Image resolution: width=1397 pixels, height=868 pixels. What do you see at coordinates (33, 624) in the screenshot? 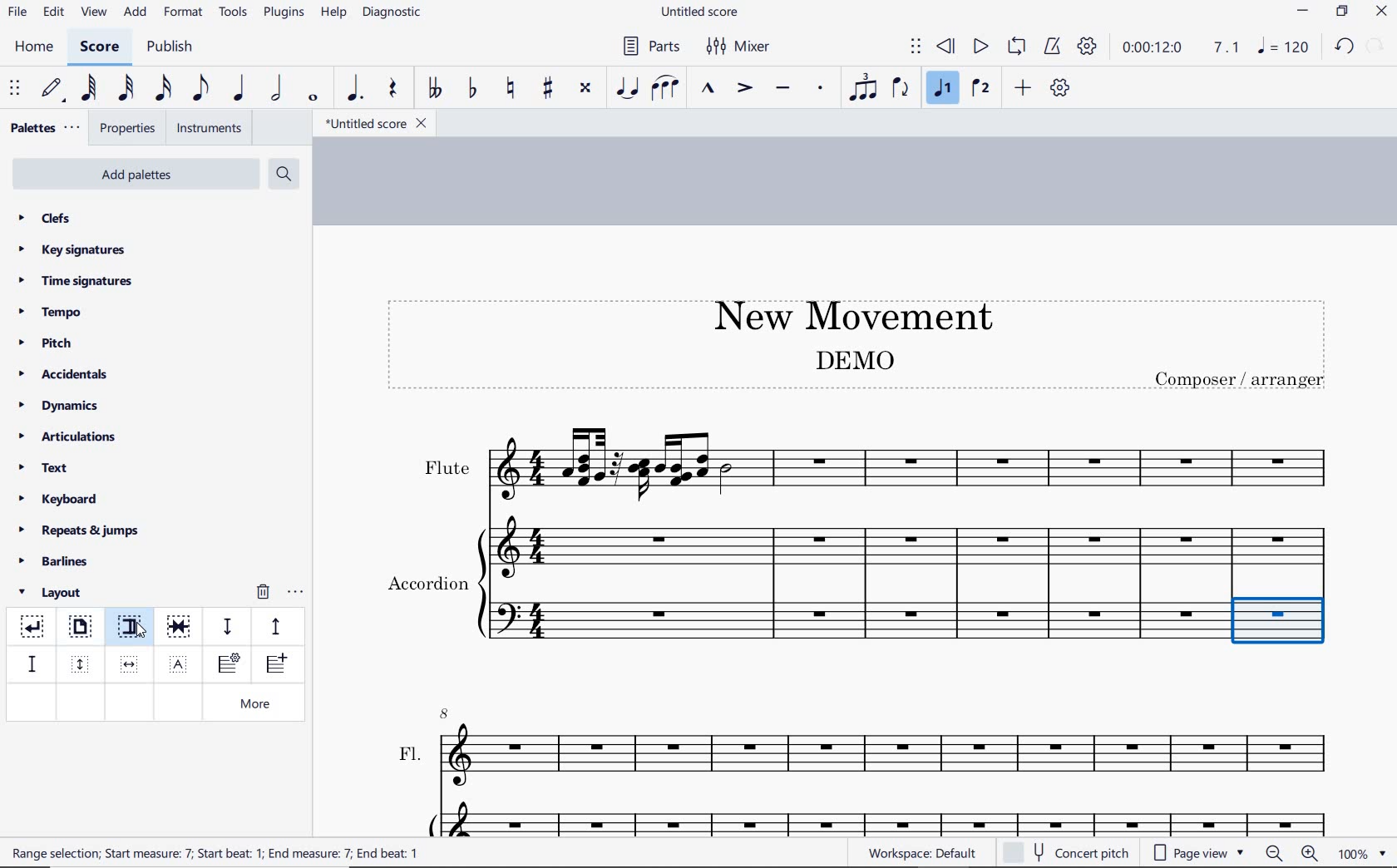
I see `system break` at bounding box center [33, 624].